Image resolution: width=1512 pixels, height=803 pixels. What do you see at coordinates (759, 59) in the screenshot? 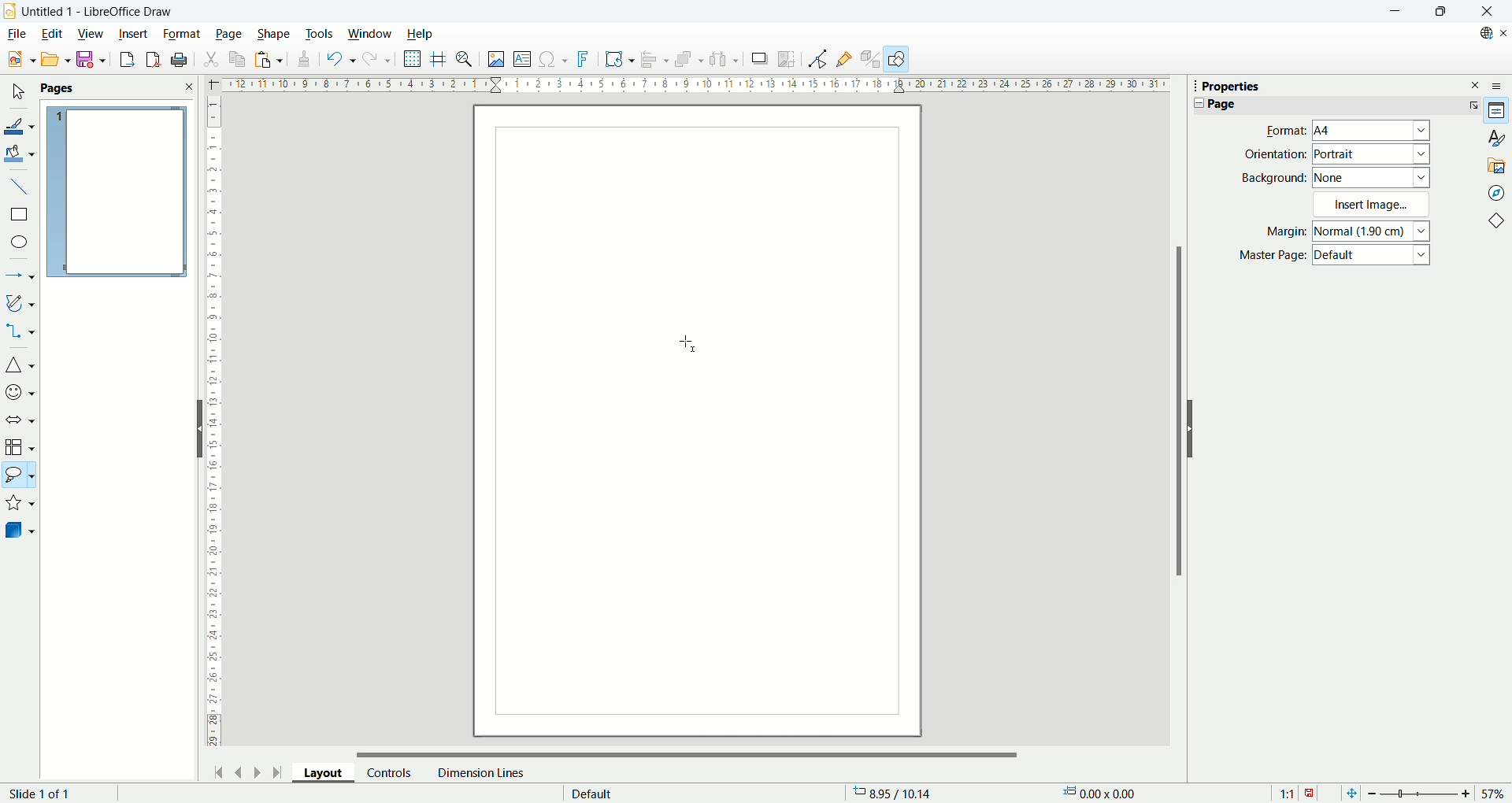
I see `shadow` at bounding box center [759, 59].